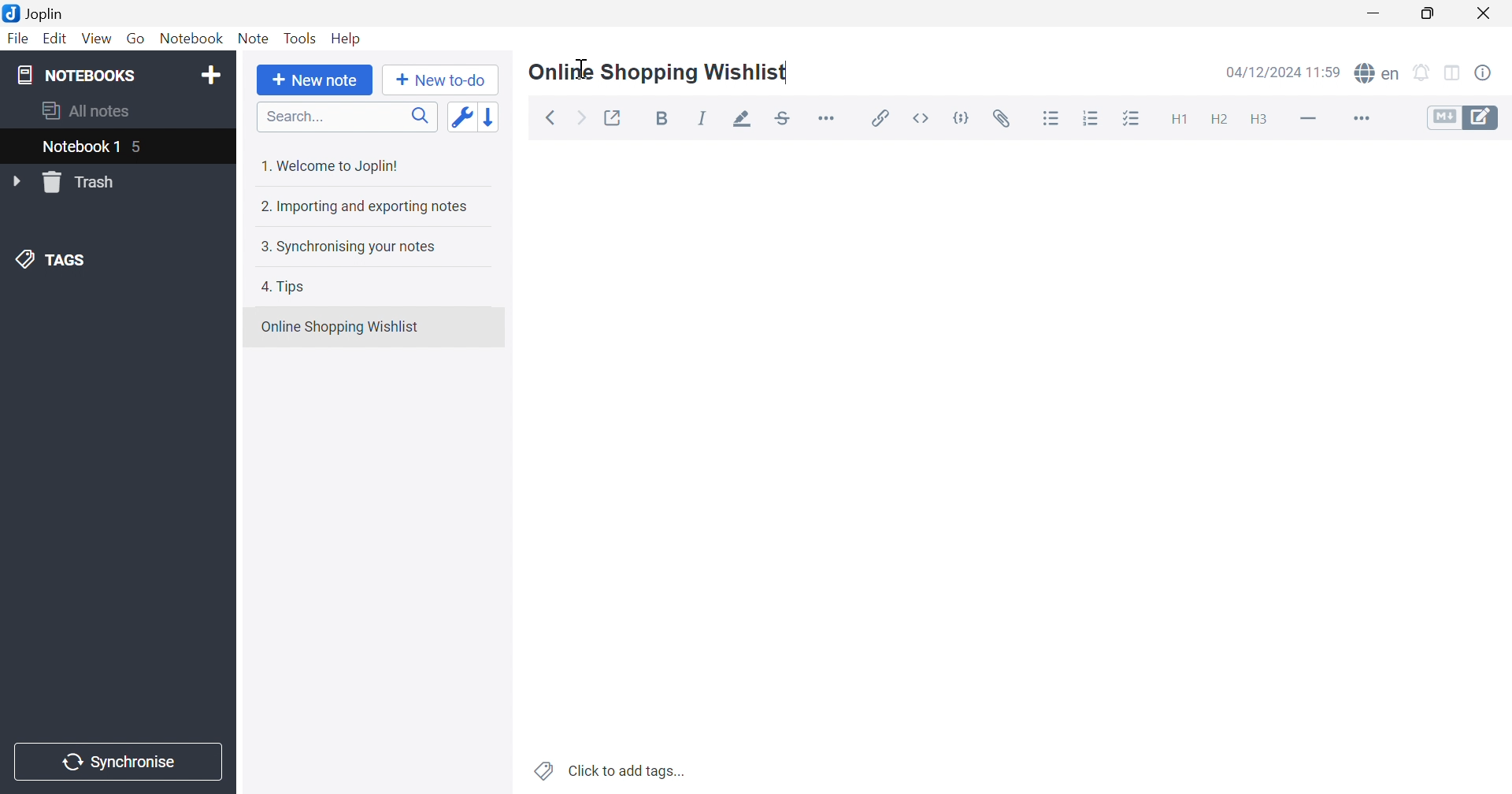 This screenshot has width=1512, height=794. What do you see at coordinates (1485, 12) in the screenshot?
I see `Close` at bounding box center [1485, 12].